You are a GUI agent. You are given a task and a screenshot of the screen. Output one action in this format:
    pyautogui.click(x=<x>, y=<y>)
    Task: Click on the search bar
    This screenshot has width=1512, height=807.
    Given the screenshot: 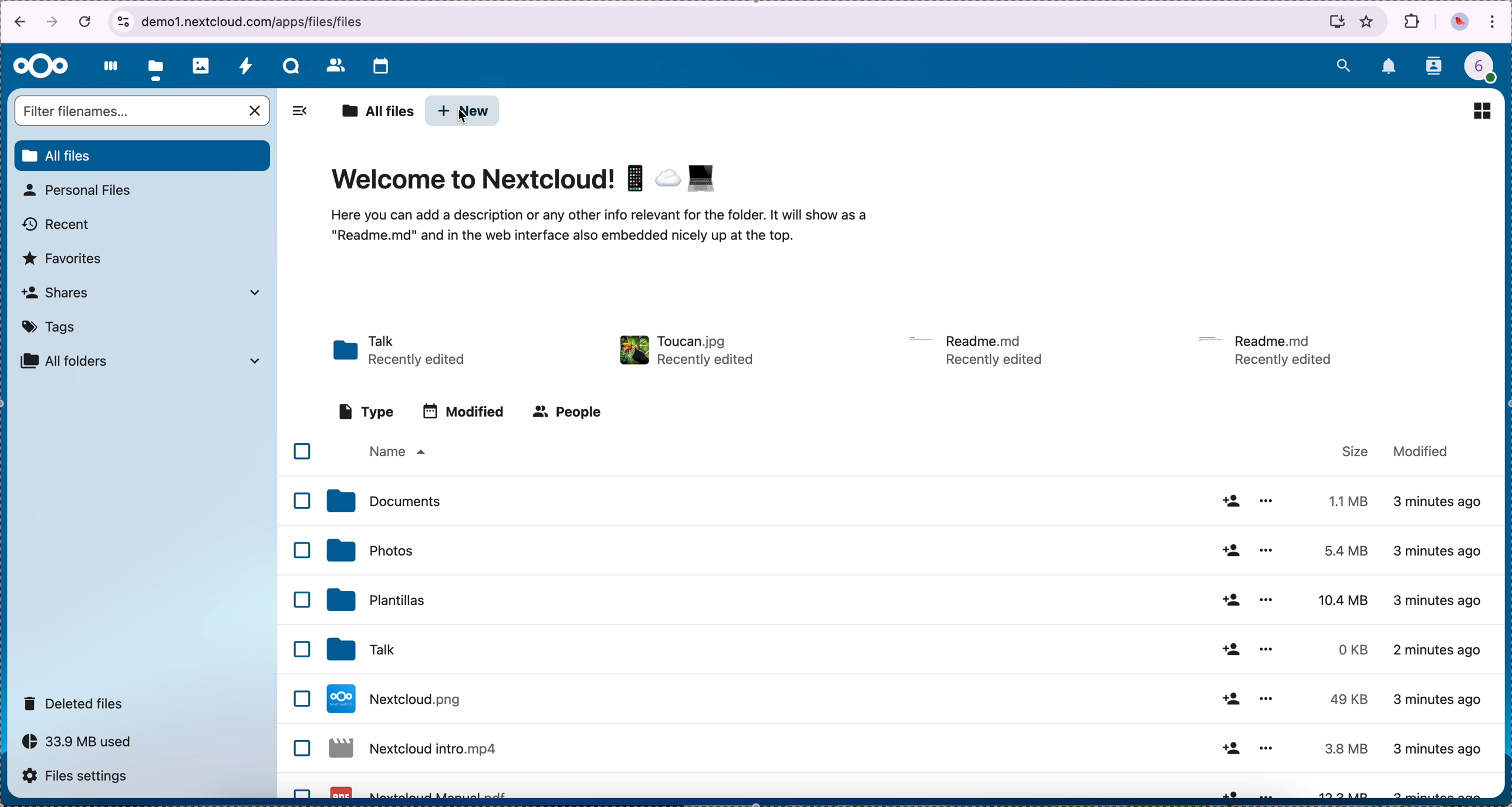 What is the action you would take?
    pyautogui.click(x=144, y=112)
    